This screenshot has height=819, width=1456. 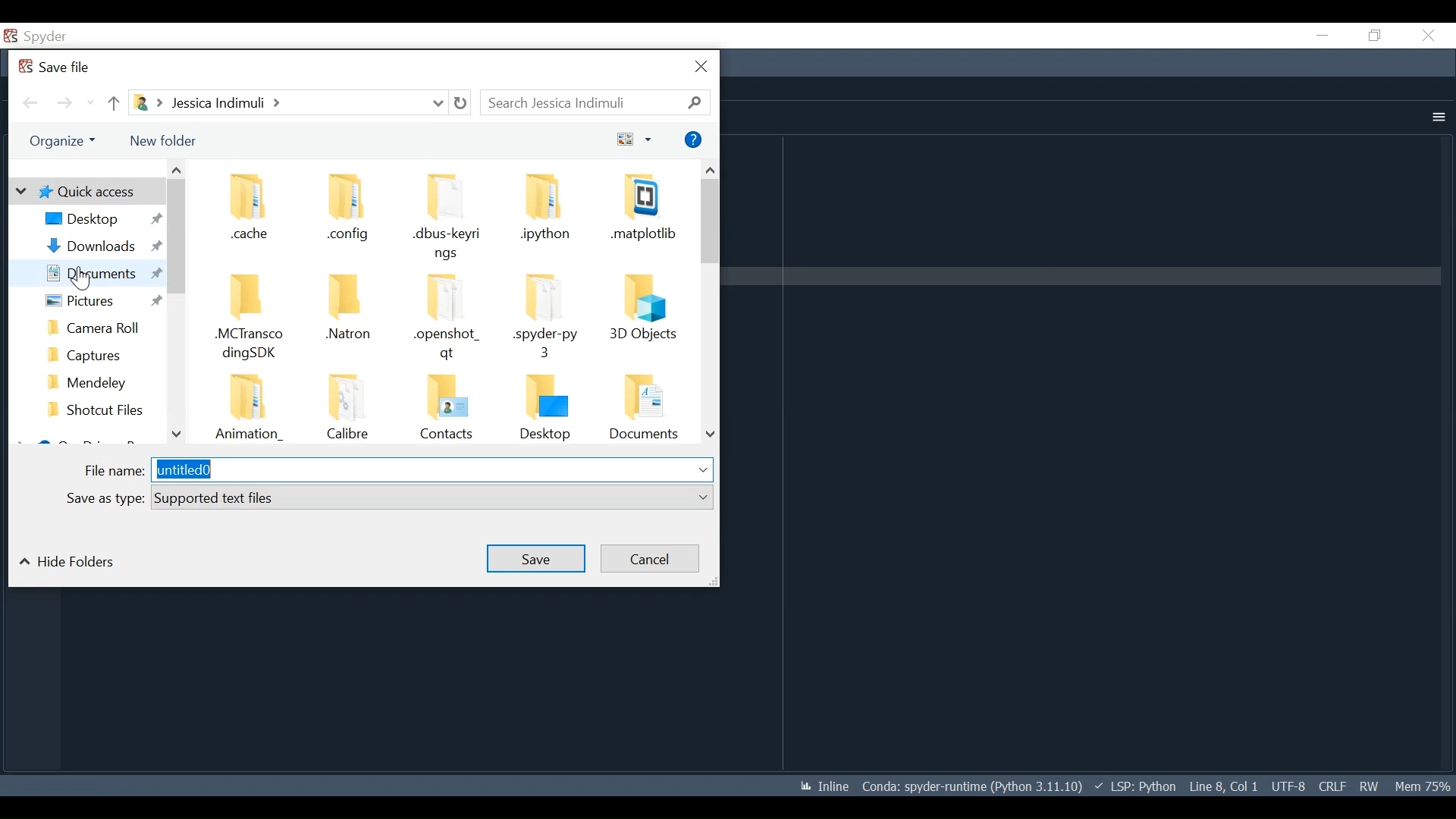 I want to click on Move Up, so click(x=115, y=104).